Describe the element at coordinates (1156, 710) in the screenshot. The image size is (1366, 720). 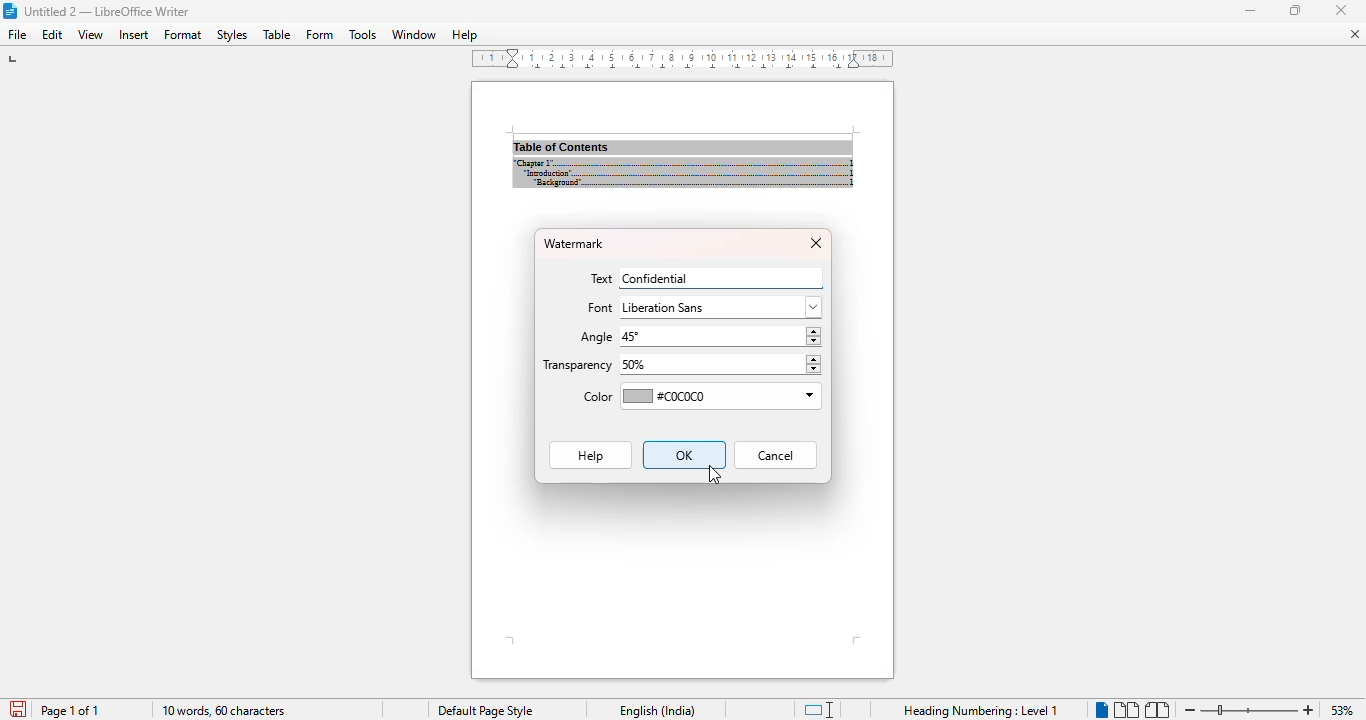
I see `book view` at that location.